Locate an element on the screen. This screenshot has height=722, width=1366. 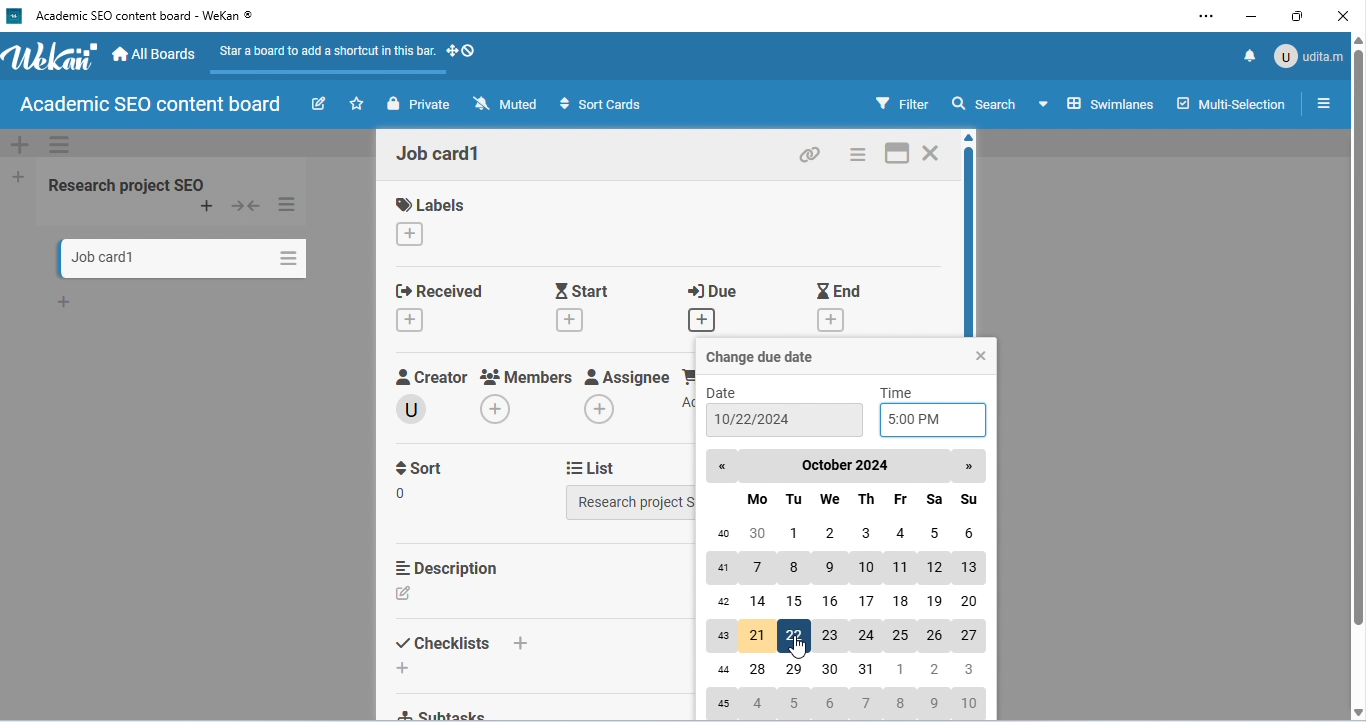
card name: Job card1 is located at coordinates (103, 258).